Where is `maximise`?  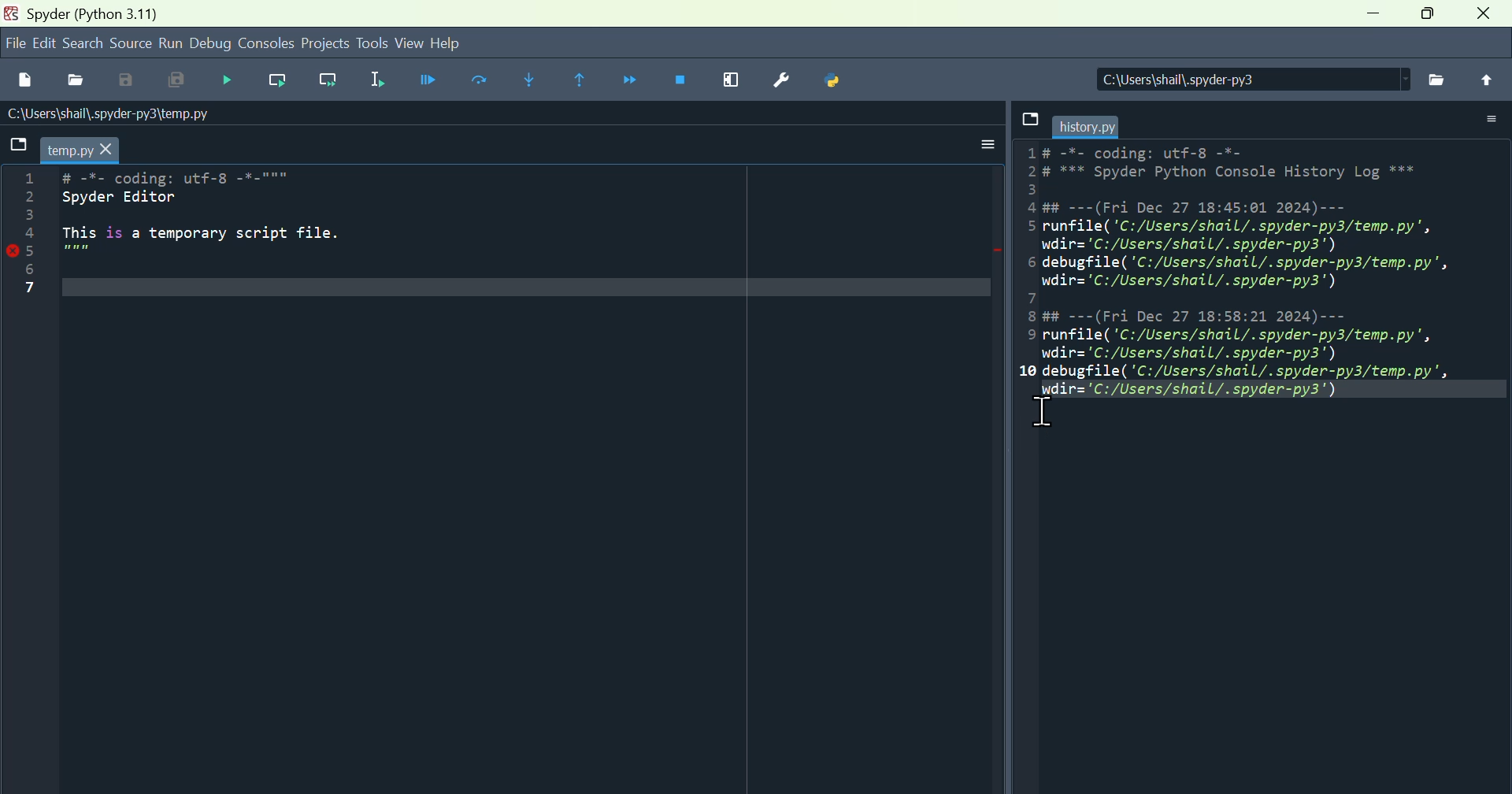 maximise is located at coordinates (1425, 21).